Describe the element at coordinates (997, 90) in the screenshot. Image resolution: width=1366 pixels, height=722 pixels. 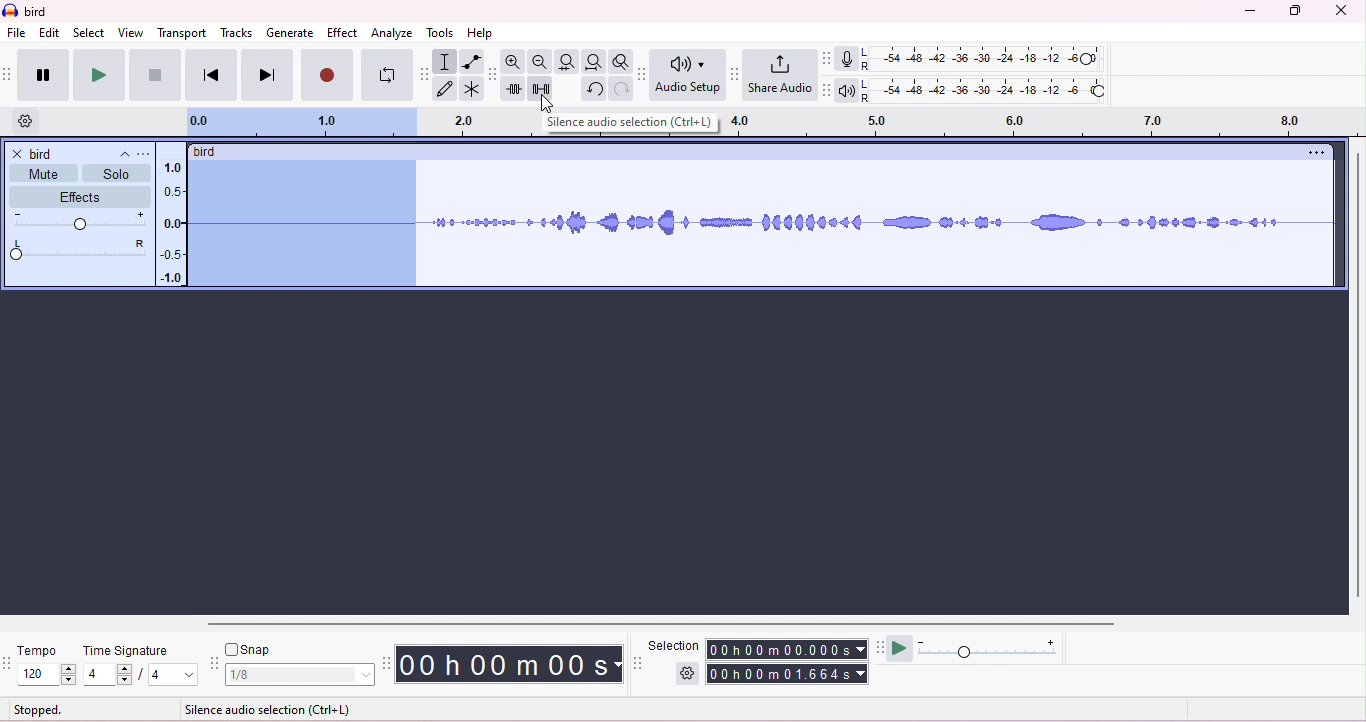
I see `playback level` at that location.